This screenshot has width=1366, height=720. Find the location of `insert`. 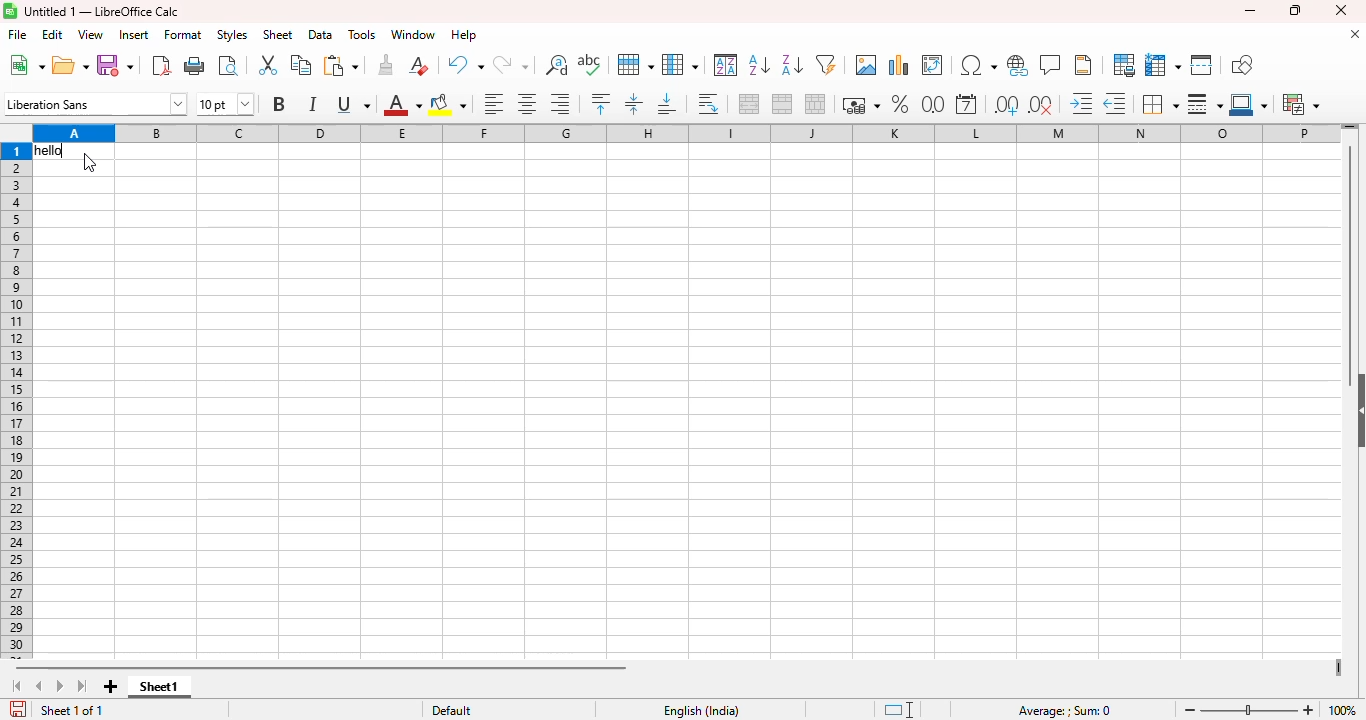

insert is located at coordinates (134, 34).